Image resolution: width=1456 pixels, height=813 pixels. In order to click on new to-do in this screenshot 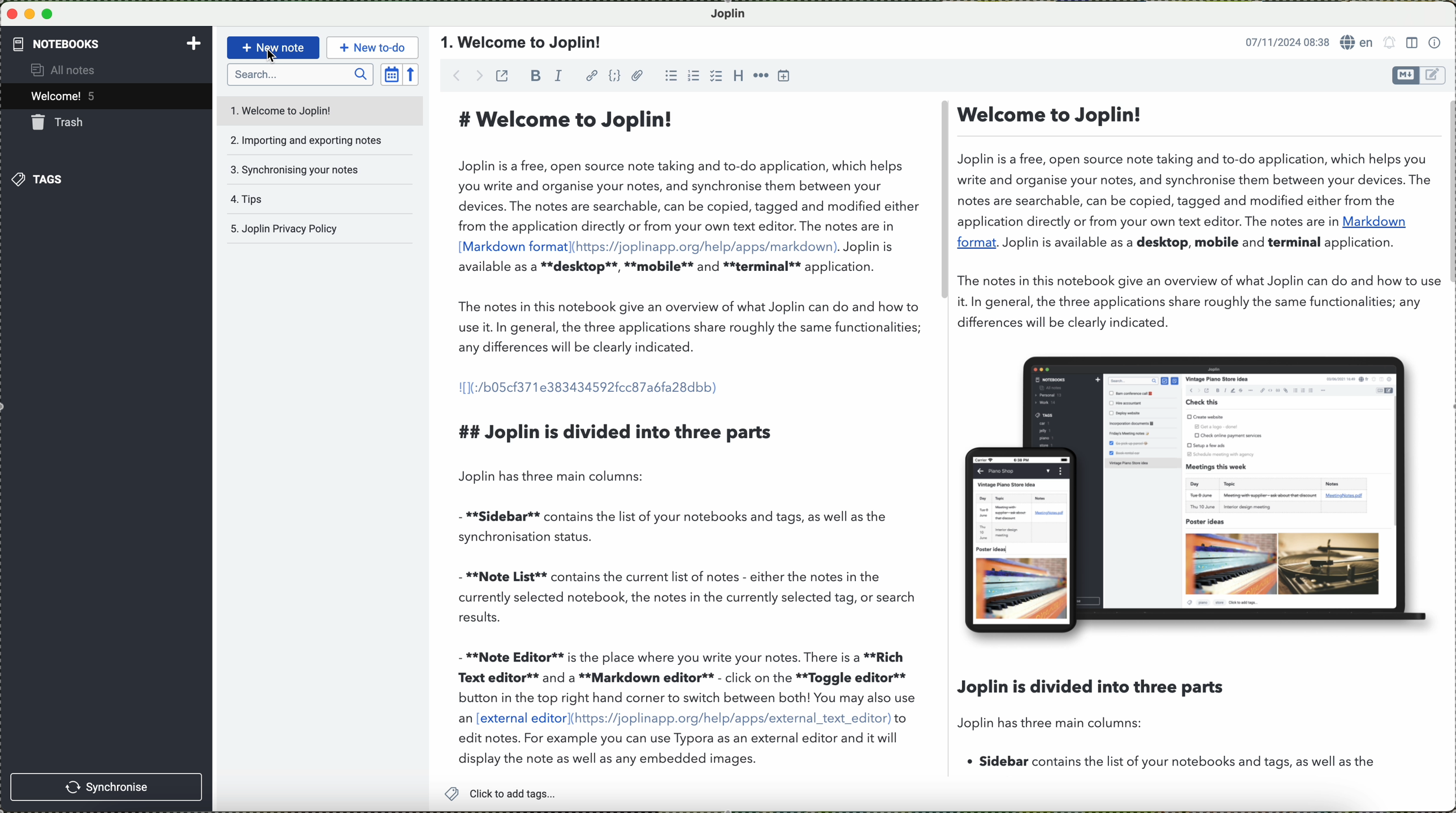, I will do `click(372, 46)`.